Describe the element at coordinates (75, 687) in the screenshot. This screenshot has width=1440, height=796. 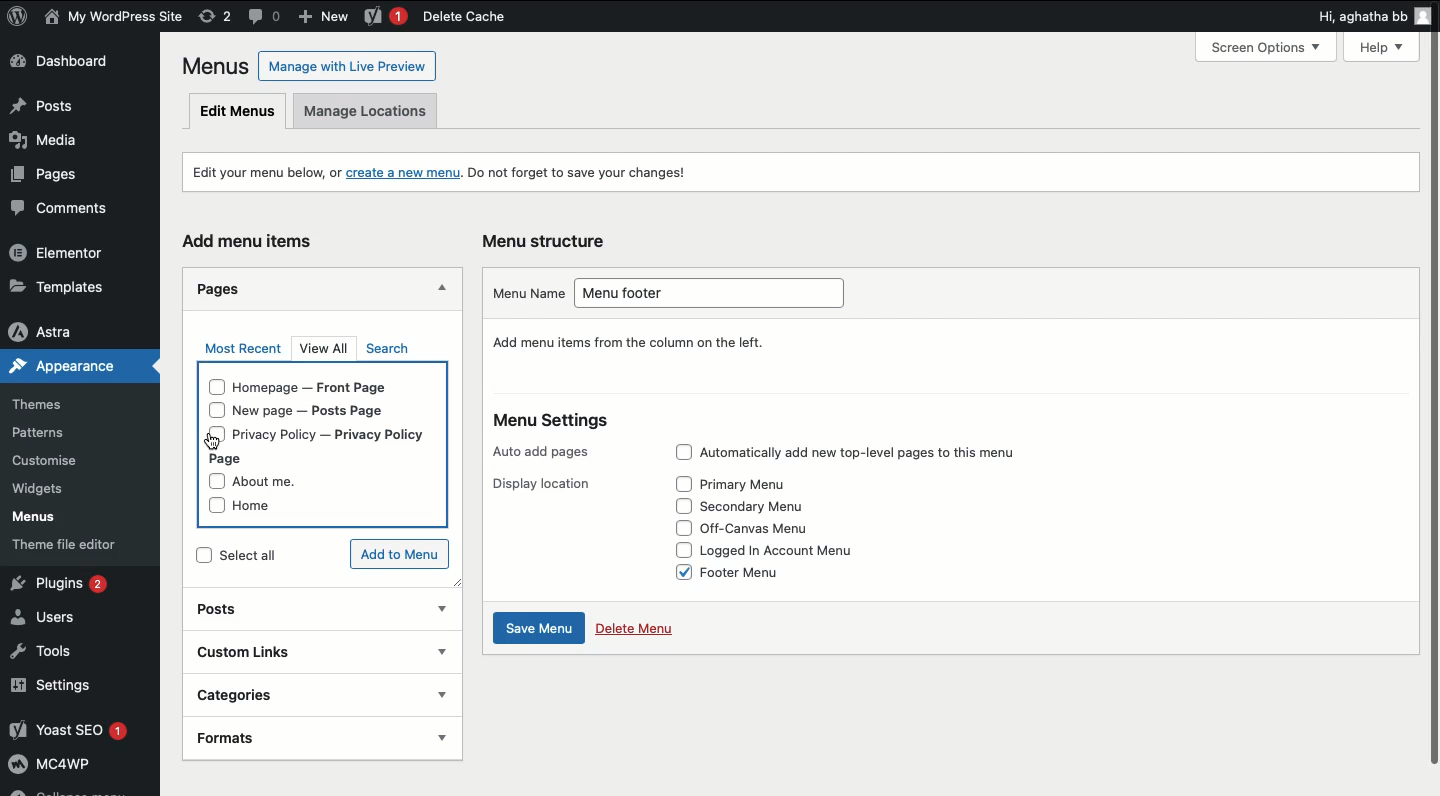
I see `Settings` at that location.